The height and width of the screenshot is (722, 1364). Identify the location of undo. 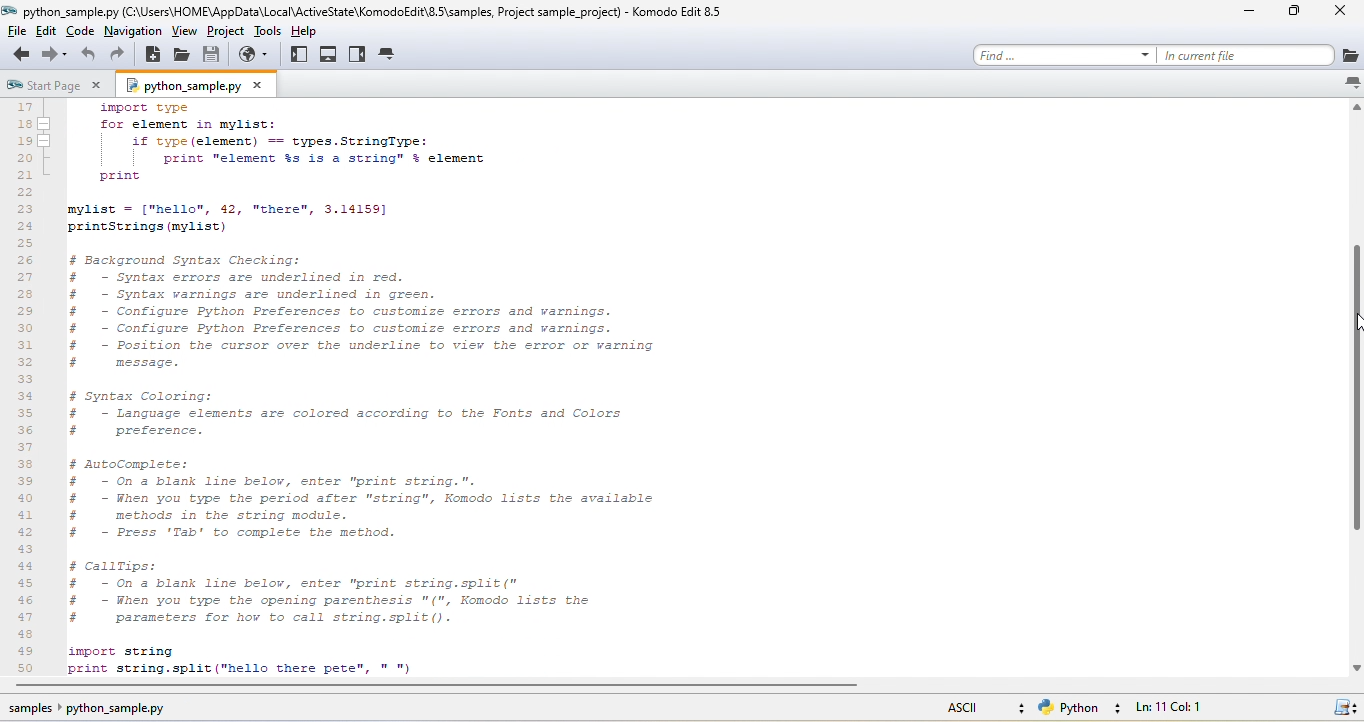
(89, 55).